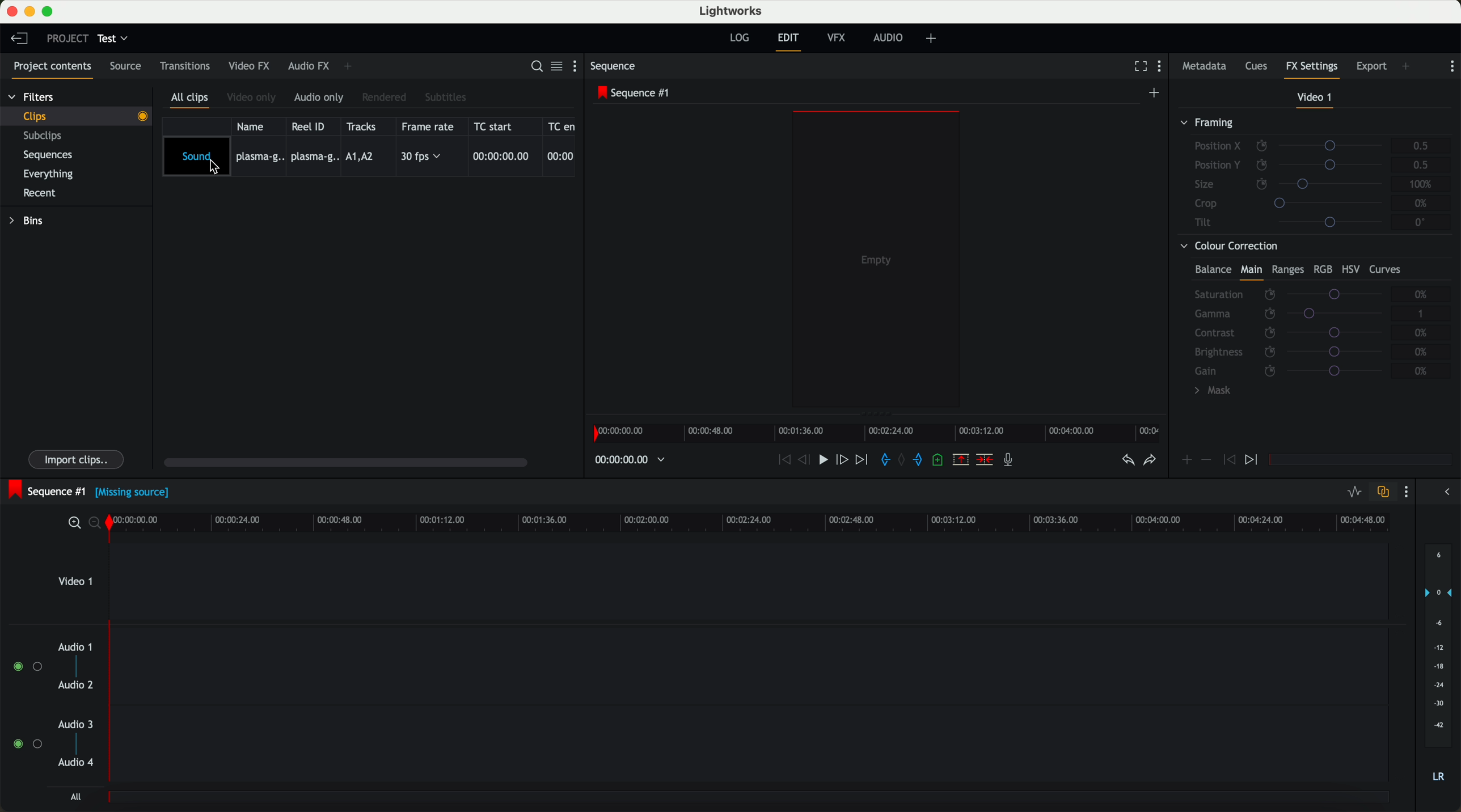  What do you see at coordinates (29, 12) in the screenshot?
I see `minimize` at bounding box center [29, 12].